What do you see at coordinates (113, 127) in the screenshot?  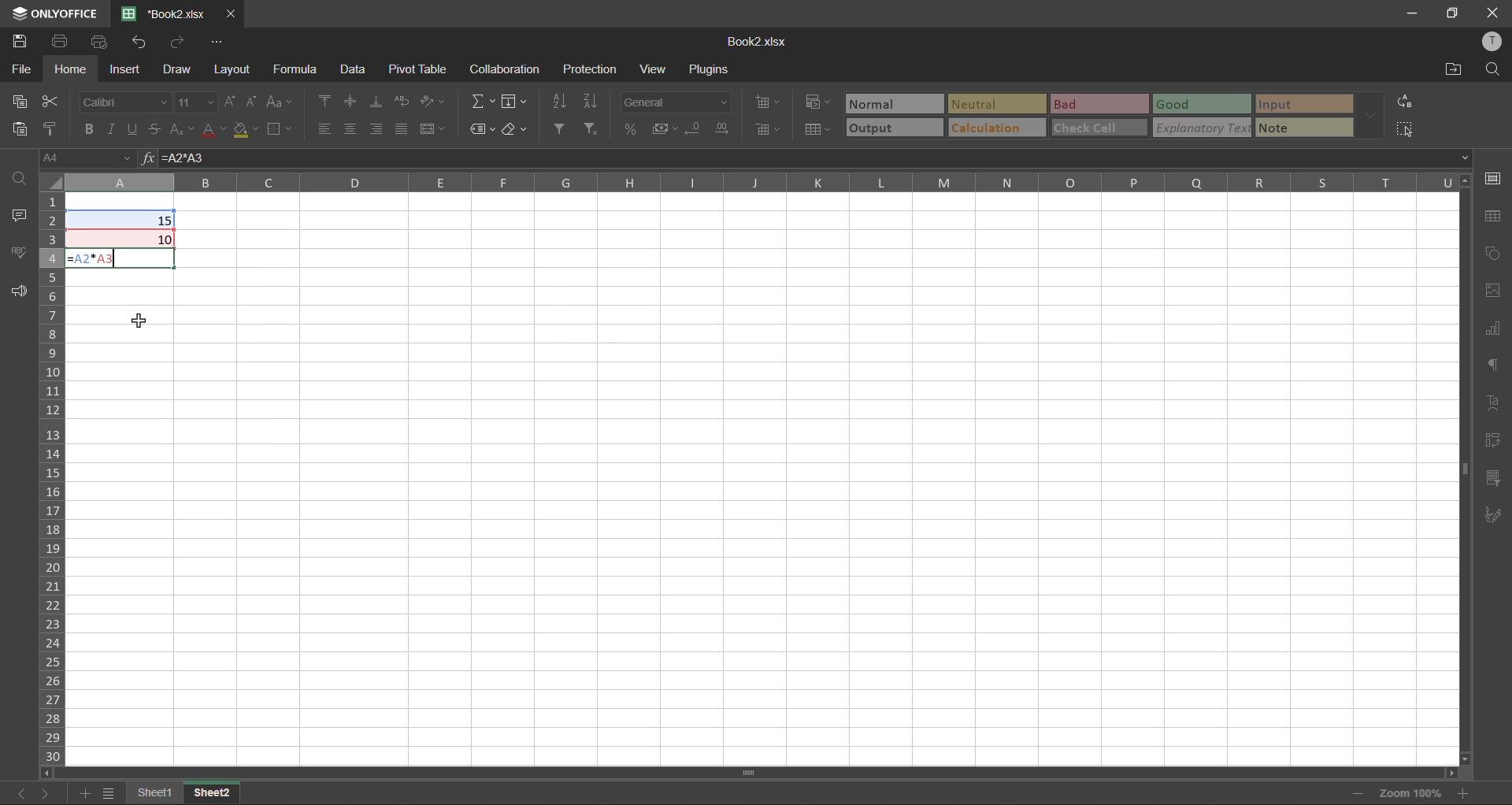 I see `italic` at bounding box center [113, 127].